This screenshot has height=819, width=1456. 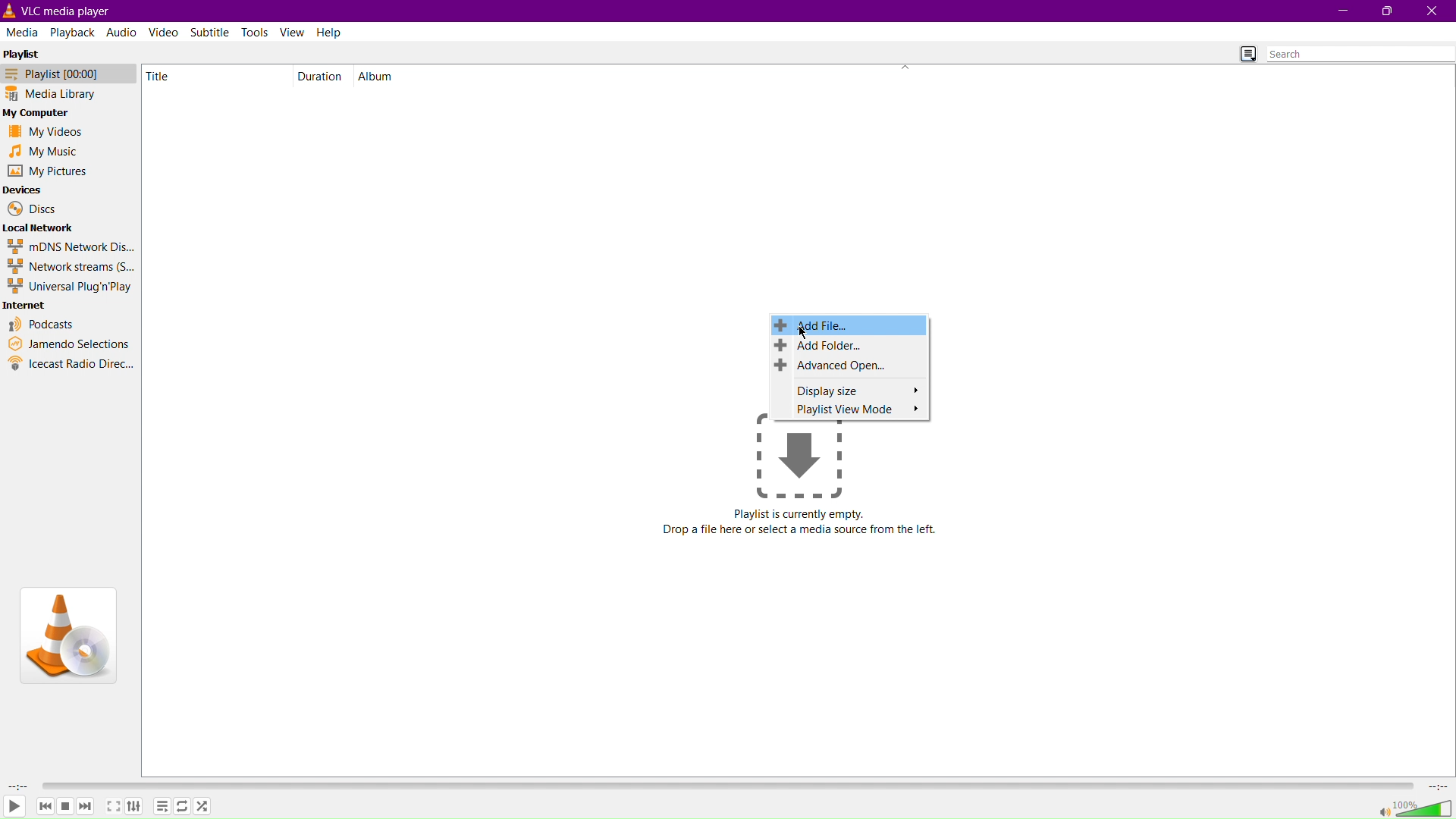 I want to click on Play, so click(x=14, y=808).